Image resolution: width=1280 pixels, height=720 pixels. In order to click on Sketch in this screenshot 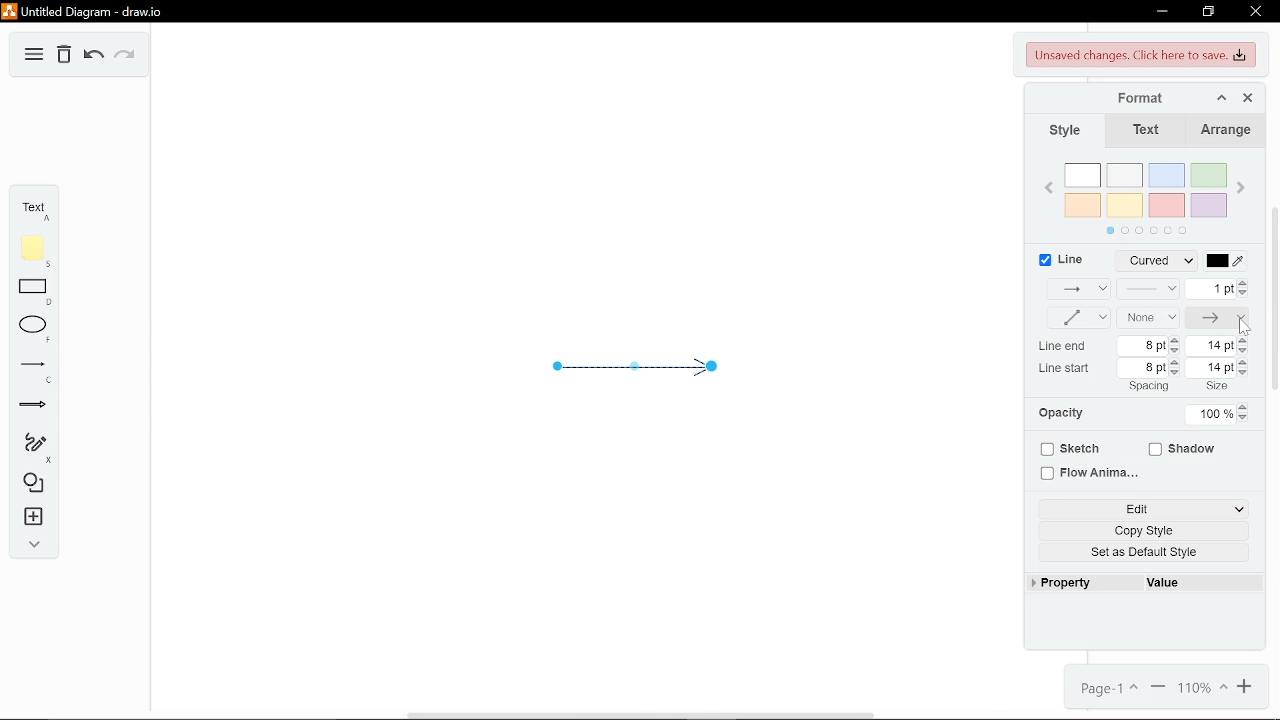, I will do `click(1069, 449)`.